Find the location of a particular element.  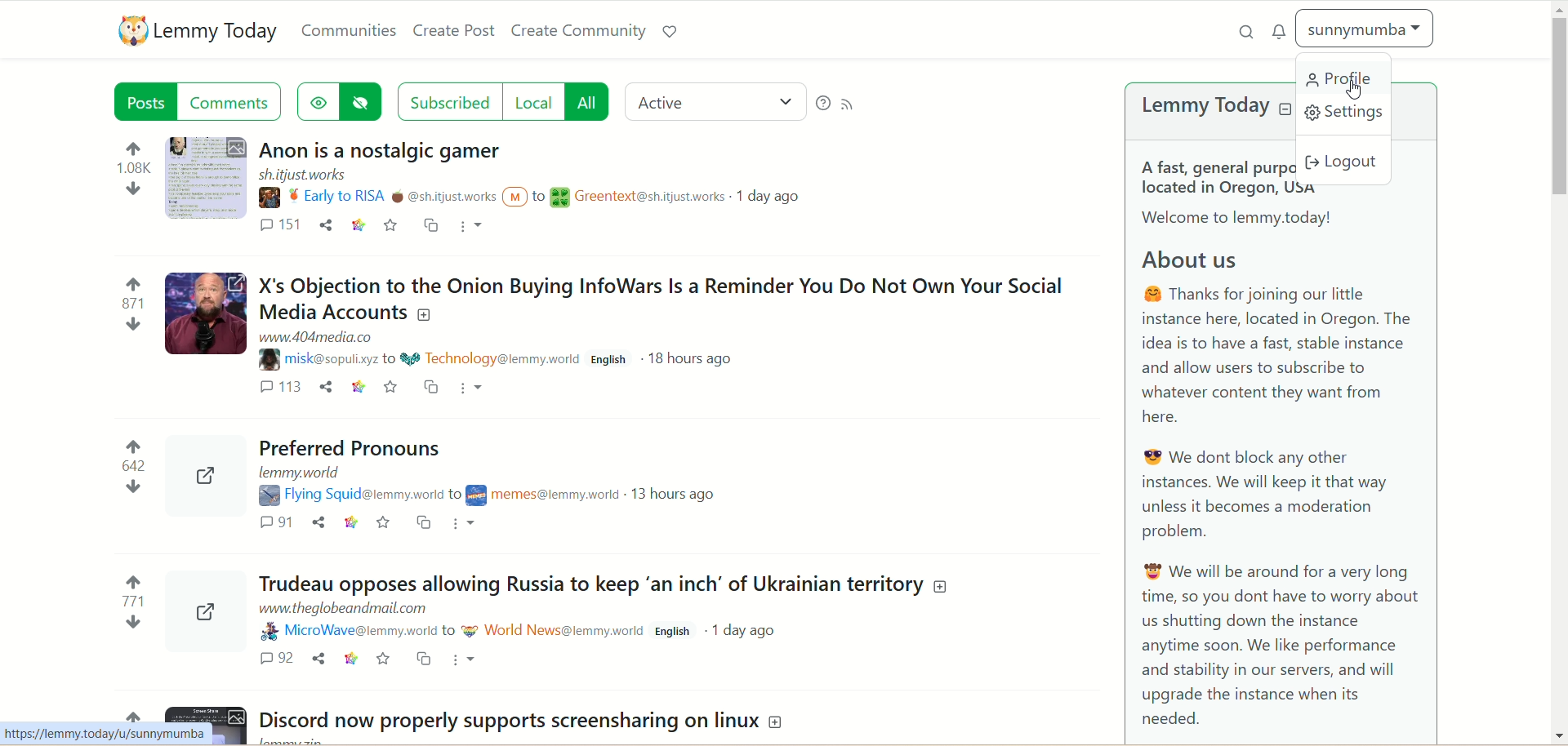

Can be expanded is located at coordinates (203, 466).